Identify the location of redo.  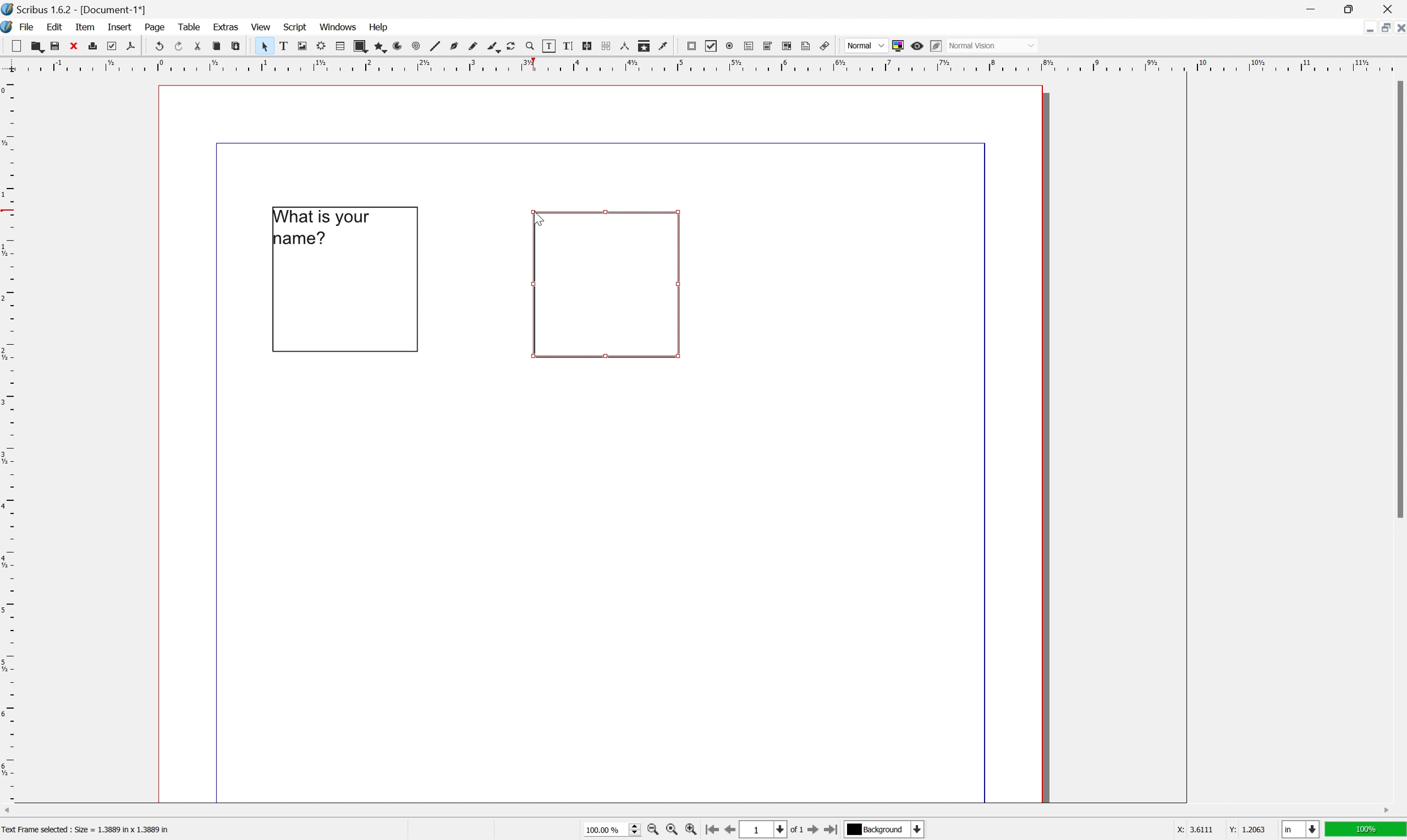
(179, 45).